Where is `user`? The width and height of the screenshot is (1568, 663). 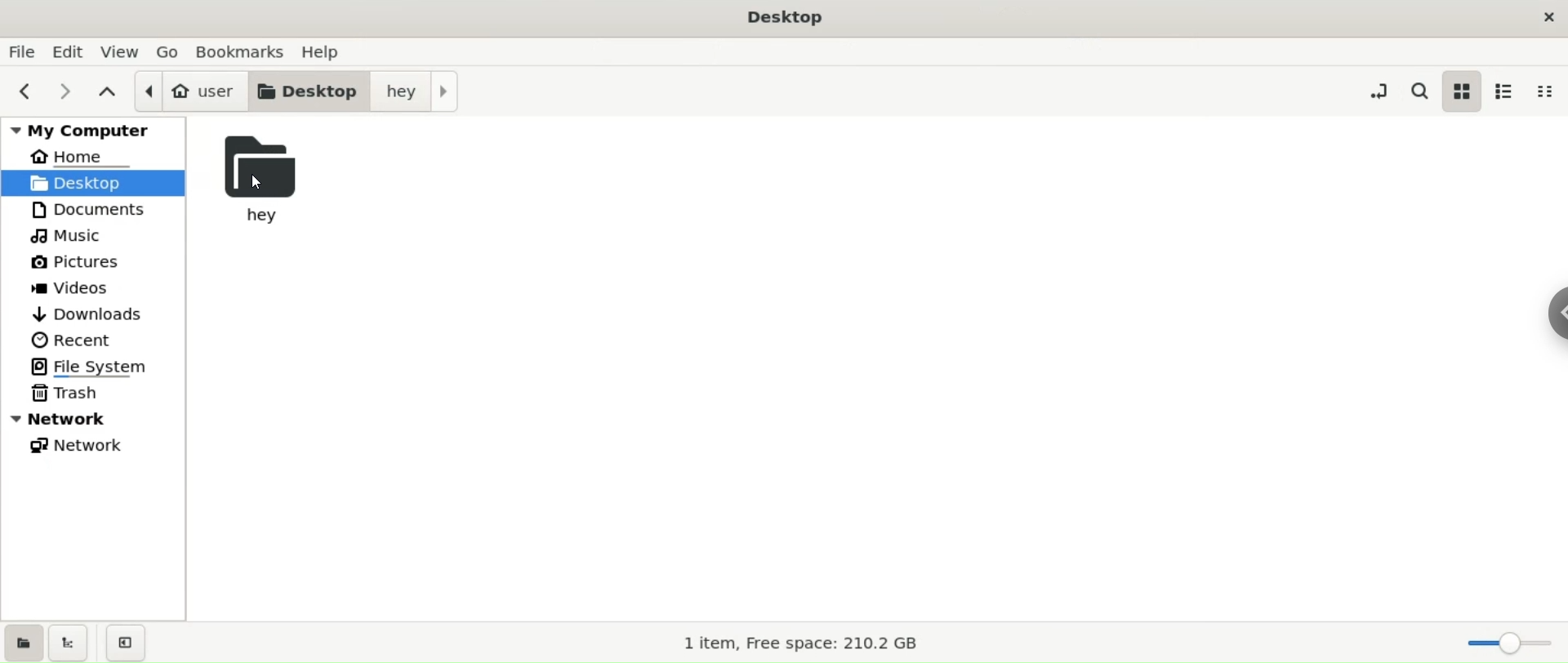
user is located at coordinates (189, 92).